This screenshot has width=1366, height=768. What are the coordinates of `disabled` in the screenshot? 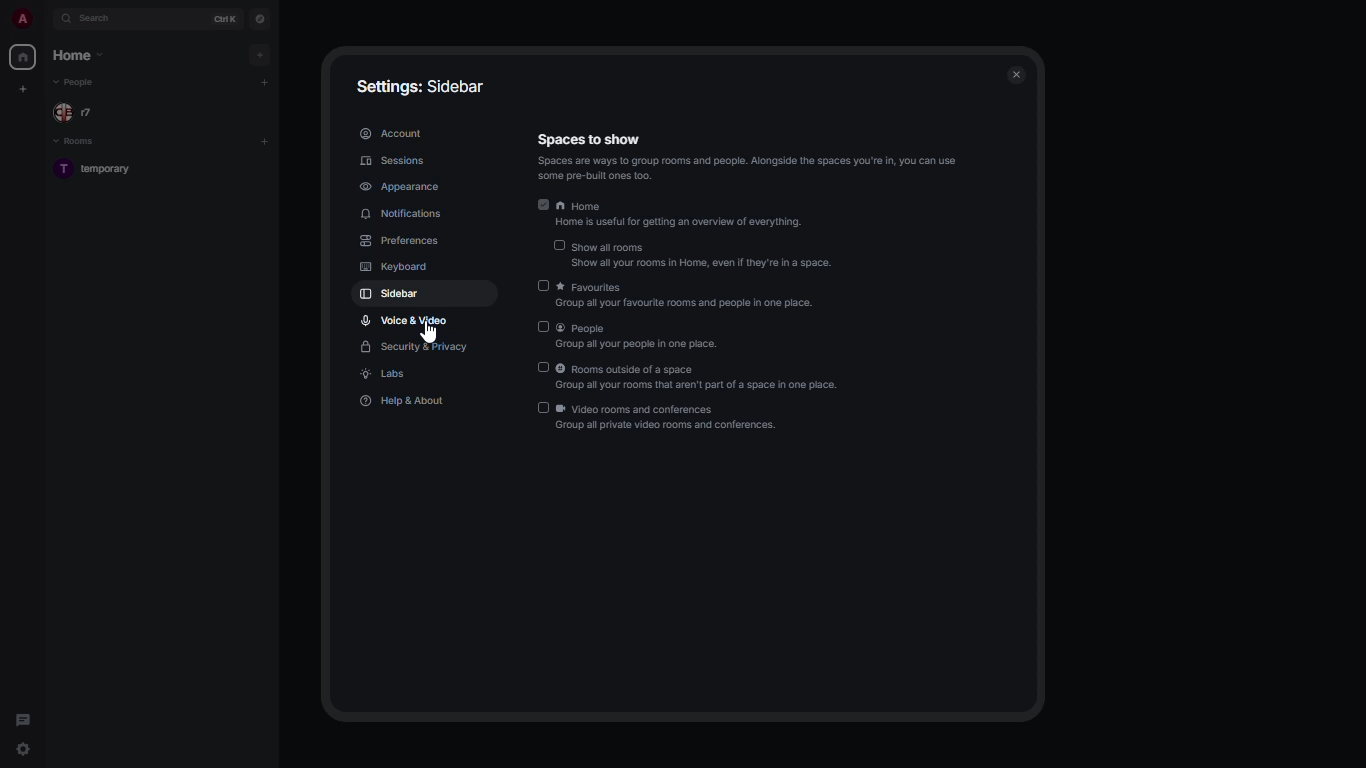 It's located at (544, 326).